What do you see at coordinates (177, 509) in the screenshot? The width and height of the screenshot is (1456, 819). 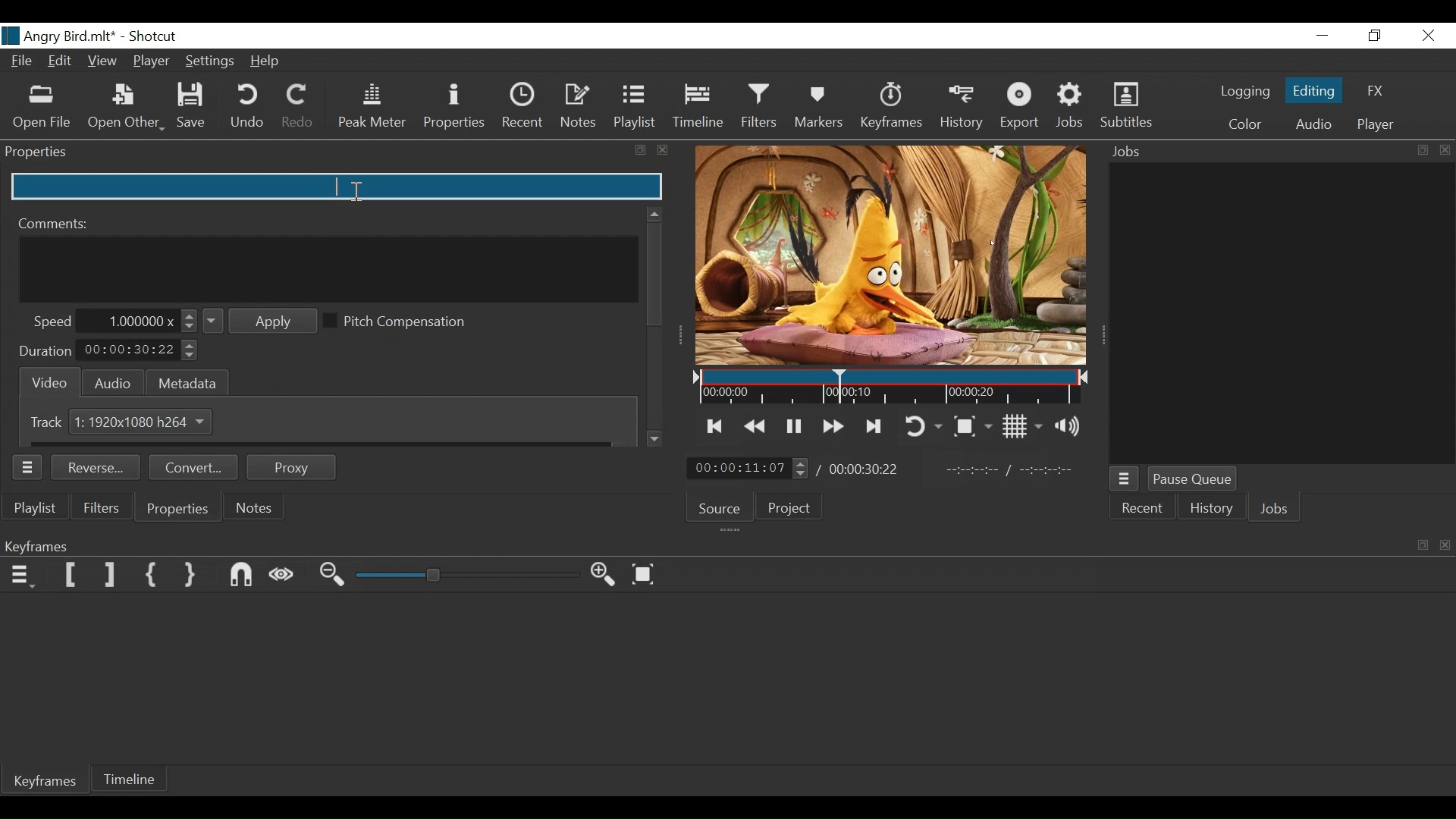 I see `Properties` at bounding box center [177, 509].